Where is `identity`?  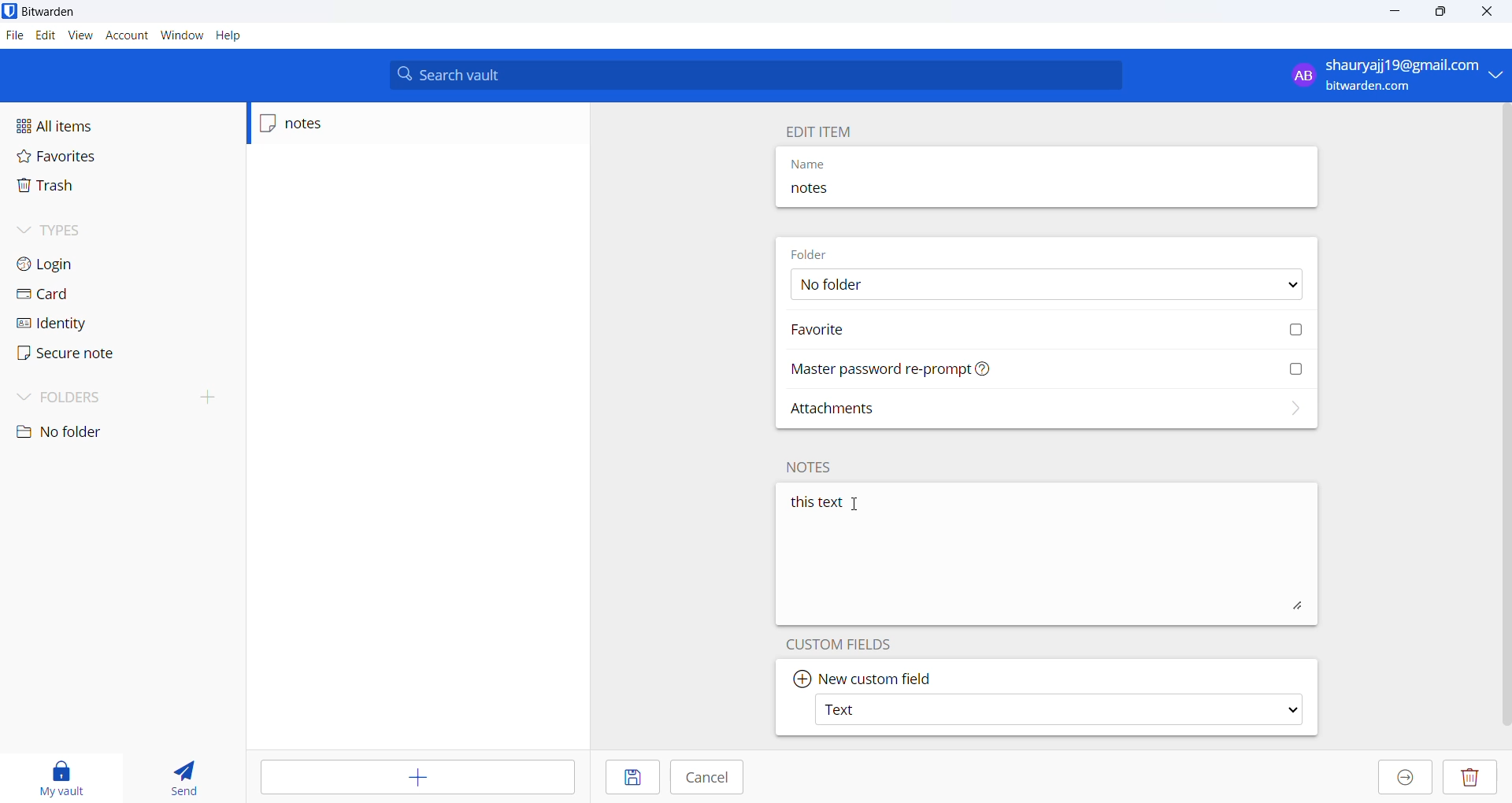 identity is located at coordinates (72, 327).